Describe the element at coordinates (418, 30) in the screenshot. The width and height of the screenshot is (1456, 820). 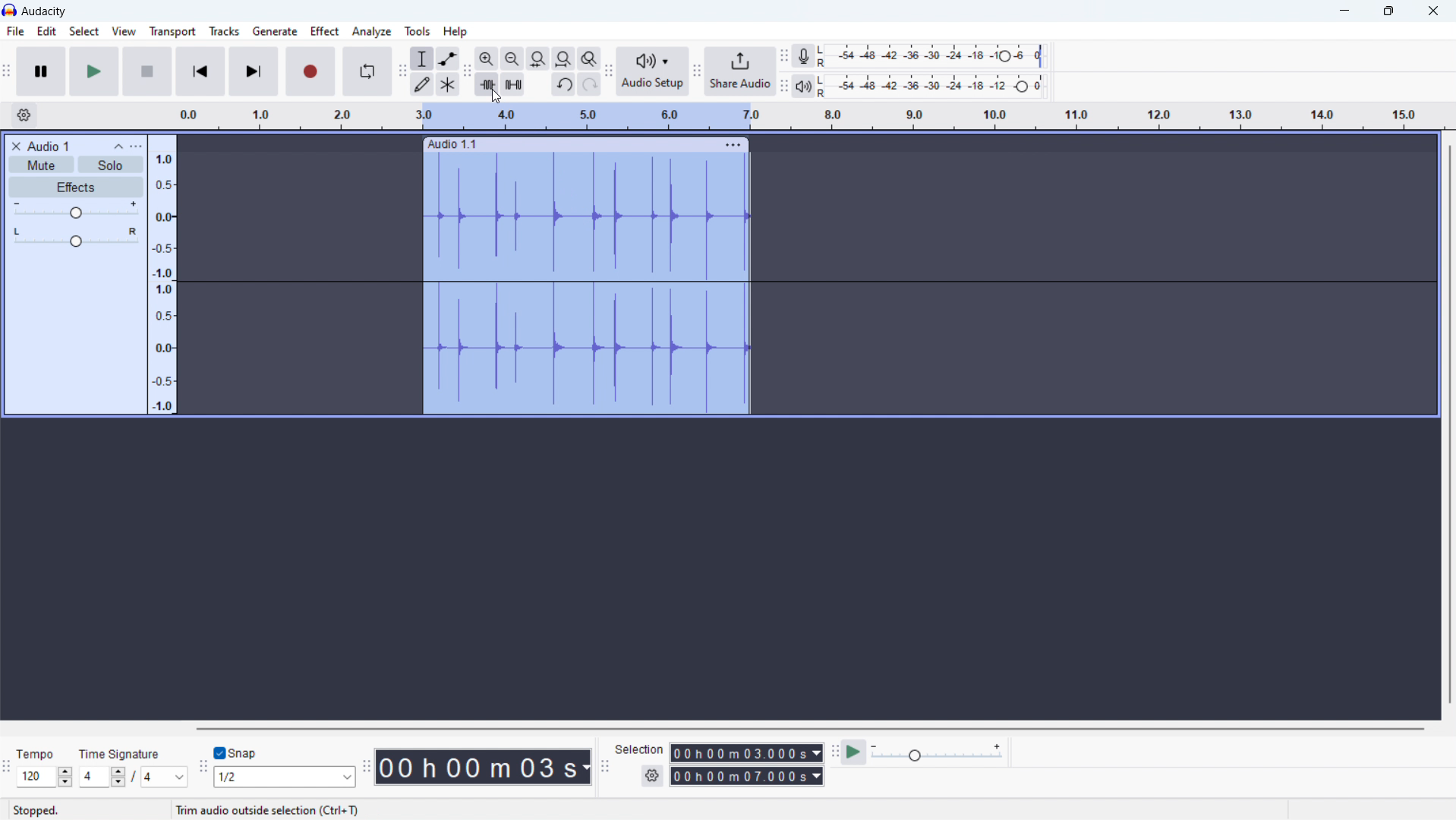
I see `tools` at that location.